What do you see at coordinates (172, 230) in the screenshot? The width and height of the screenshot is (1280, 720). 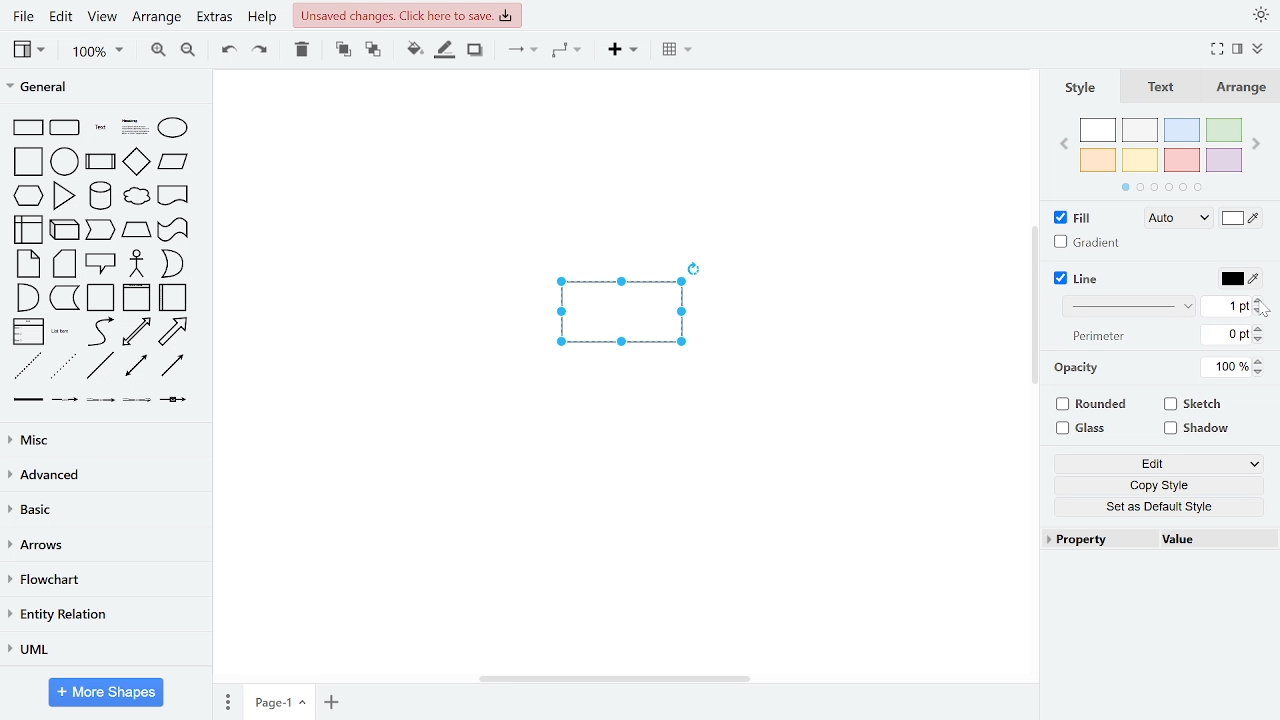 I see `general shapes` at bounding box center [172, 230].